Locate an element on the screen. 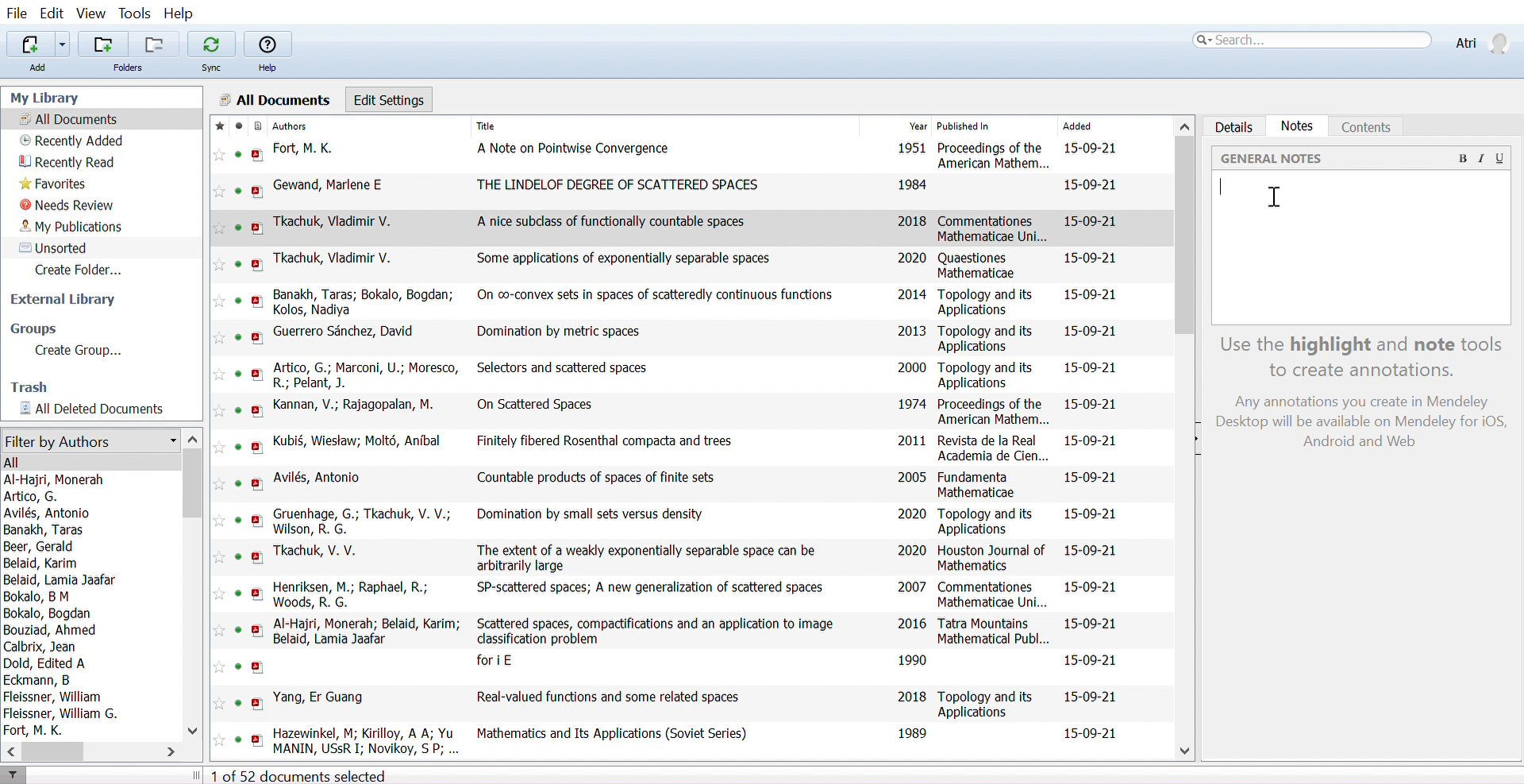  open PDF is located at coordinates (258, 704).